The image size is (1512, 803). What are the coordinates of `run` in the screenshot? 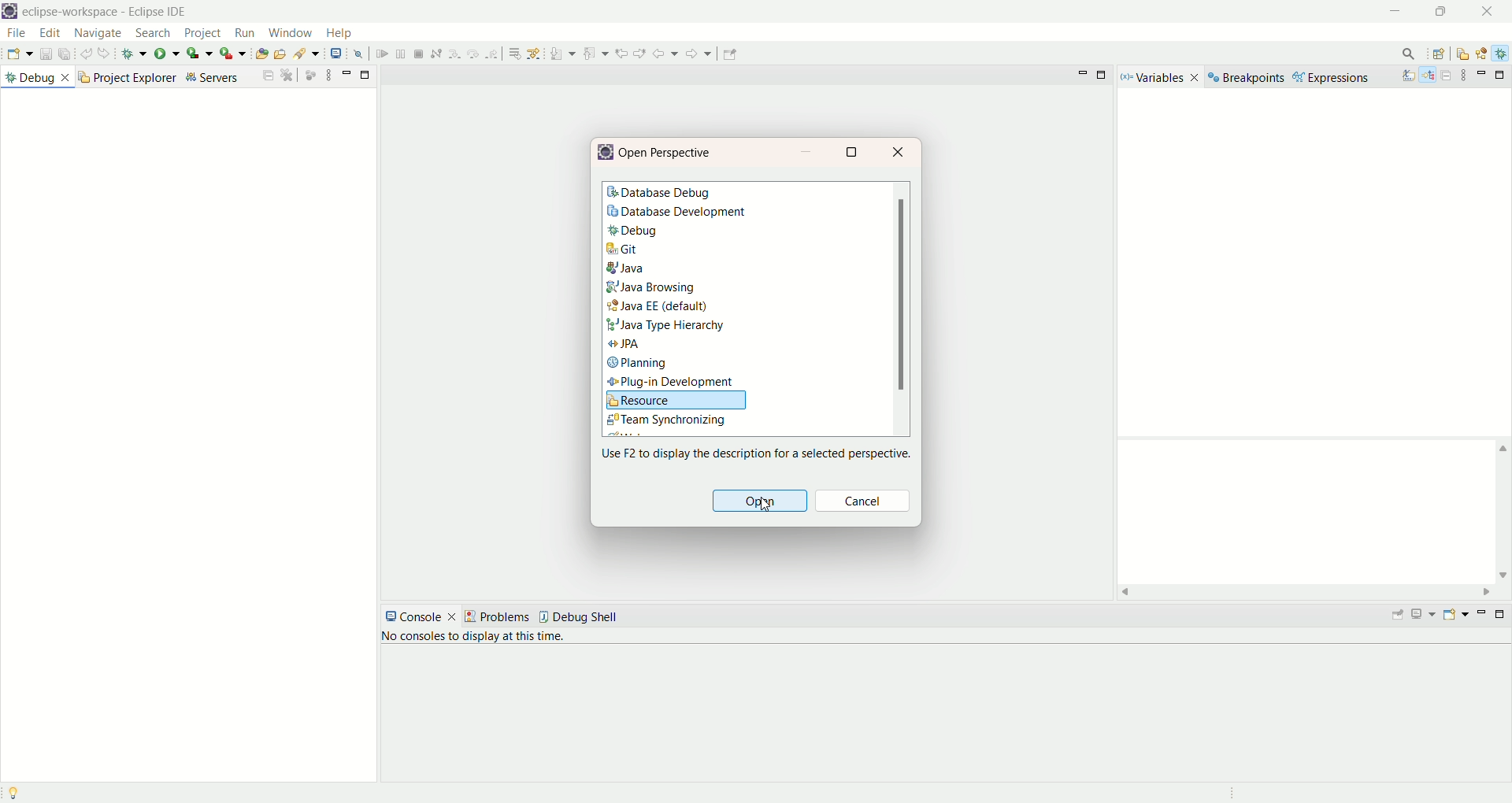 It's located at (243, 35).